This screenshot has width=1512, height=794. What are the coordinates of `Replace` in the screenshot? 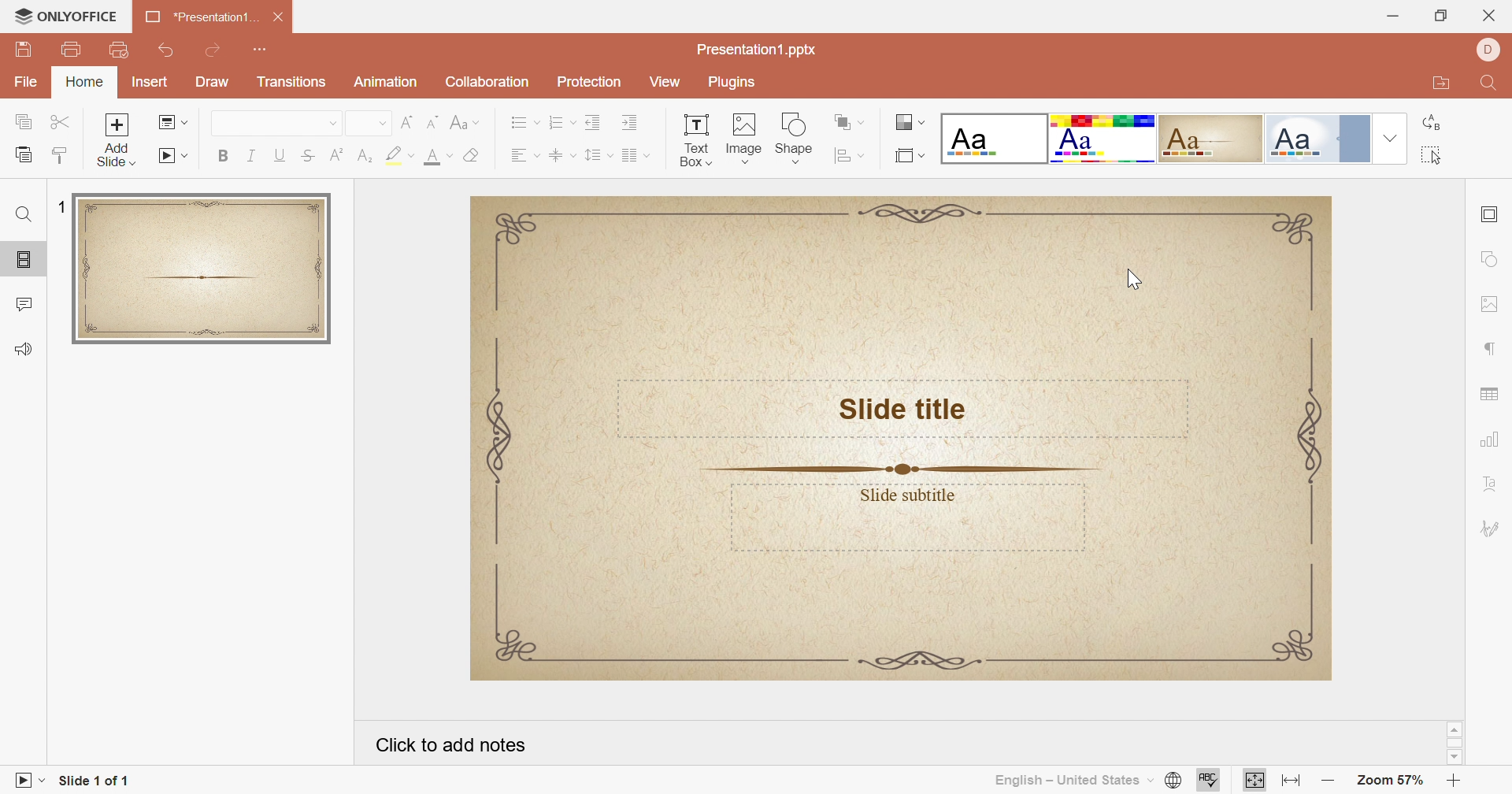 It's located at (1425, 124).